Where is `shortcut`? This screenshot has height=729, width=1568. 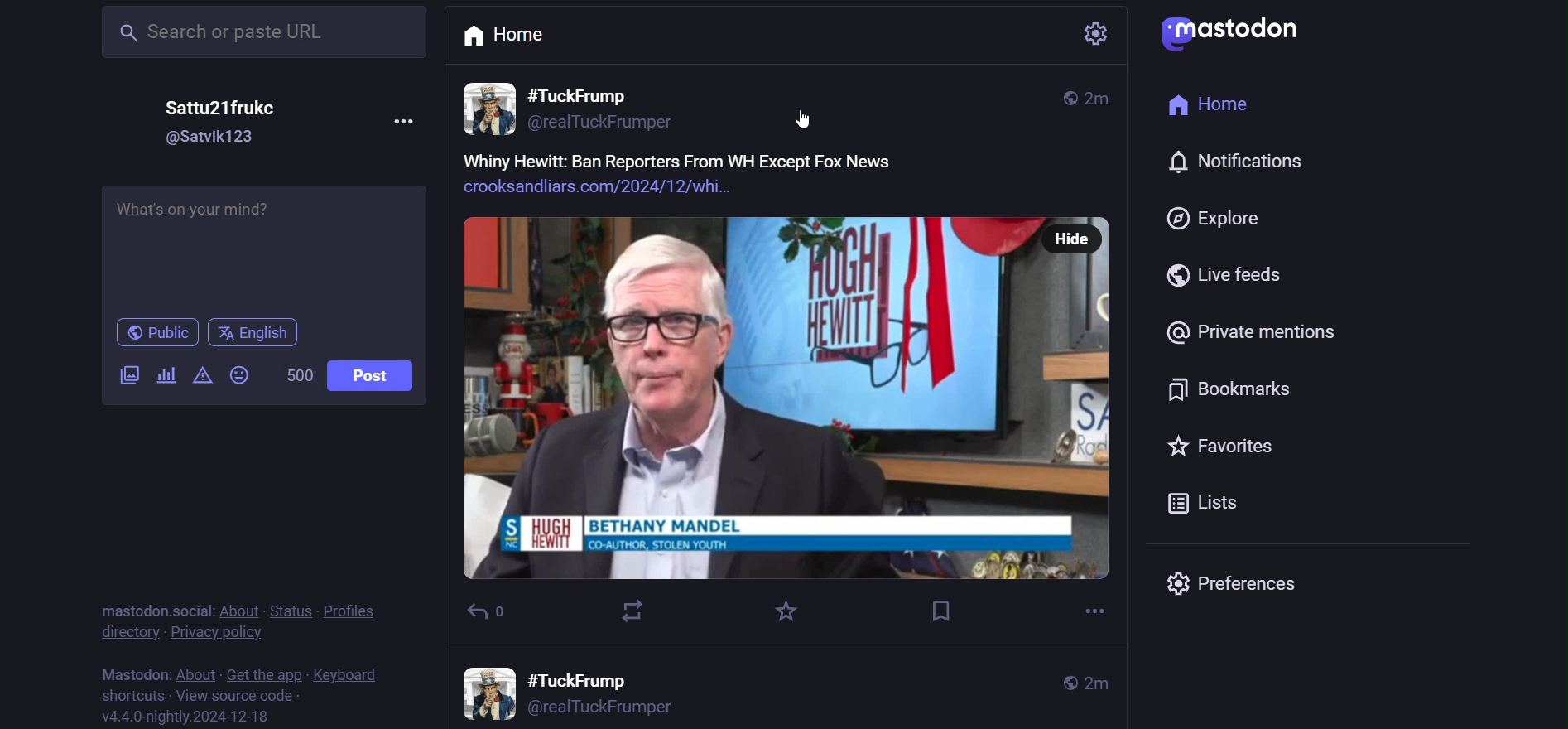 shortcut is located at coordinates (127, 693).